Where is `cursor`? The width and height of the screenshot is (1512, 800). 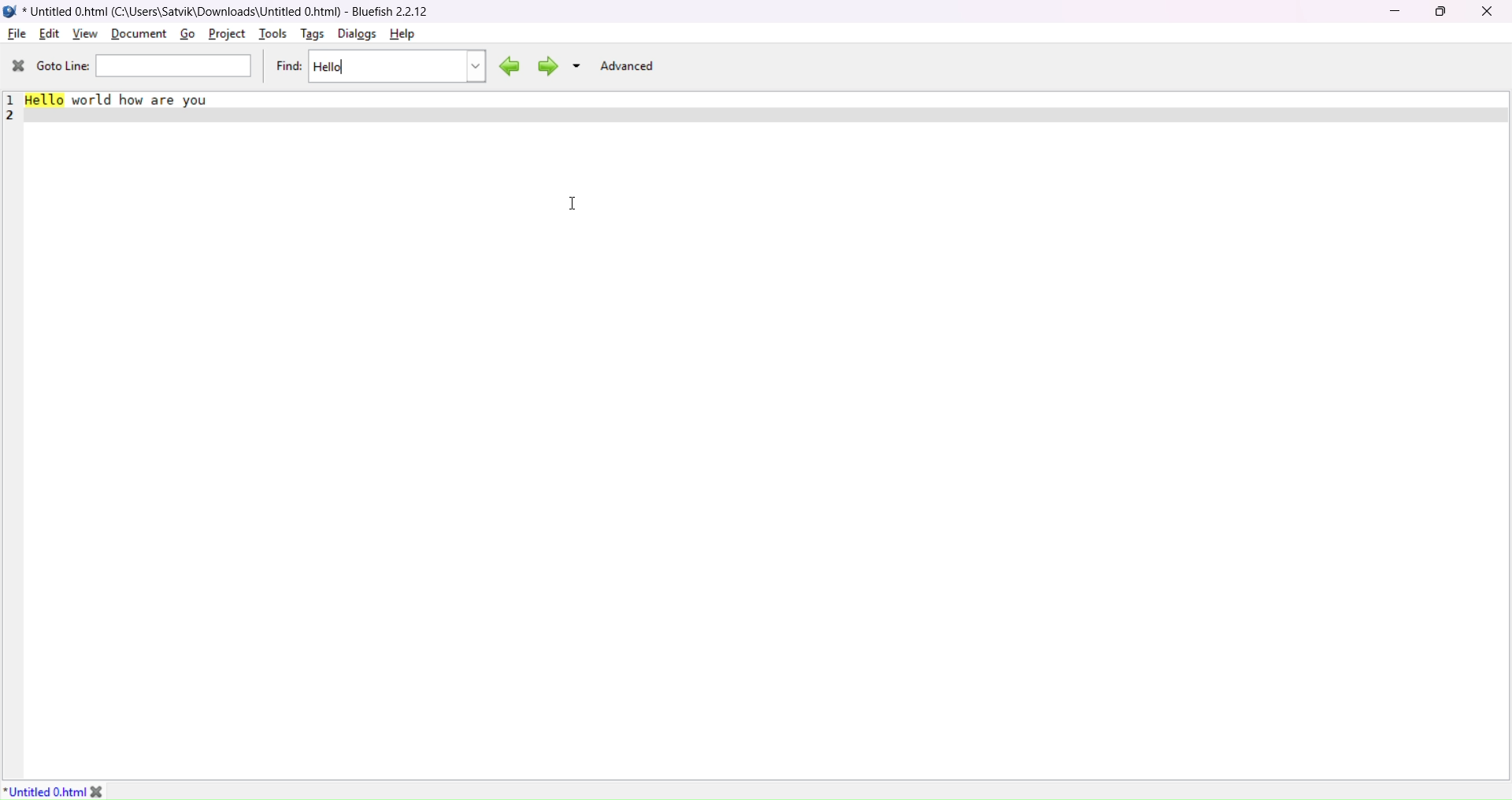 cursor is located at coordinates (574, 205).